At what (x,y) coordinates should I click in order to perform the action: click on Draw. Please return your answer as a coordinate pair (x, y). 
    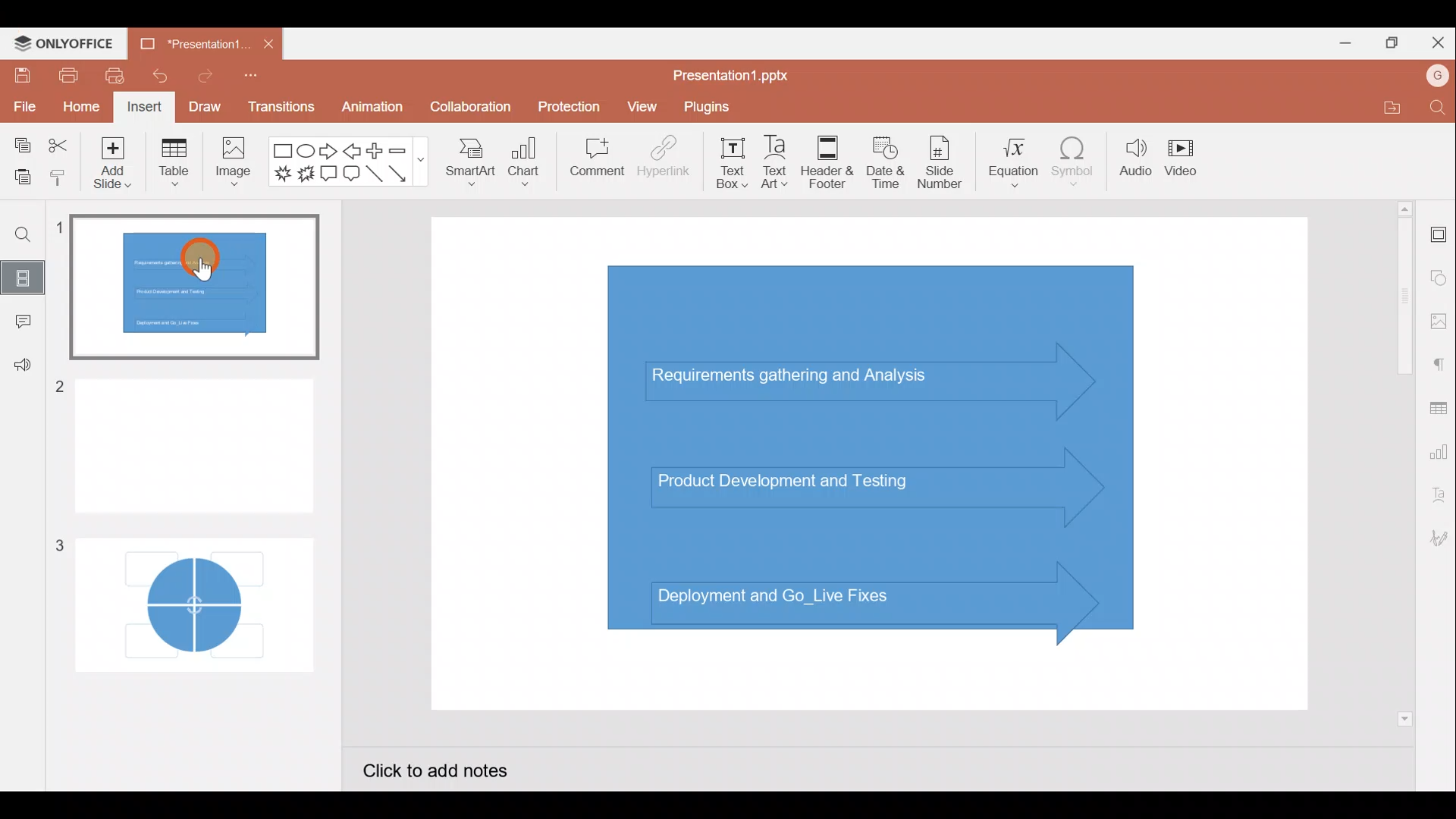
    Looking at the image, I should click on (203, 105).